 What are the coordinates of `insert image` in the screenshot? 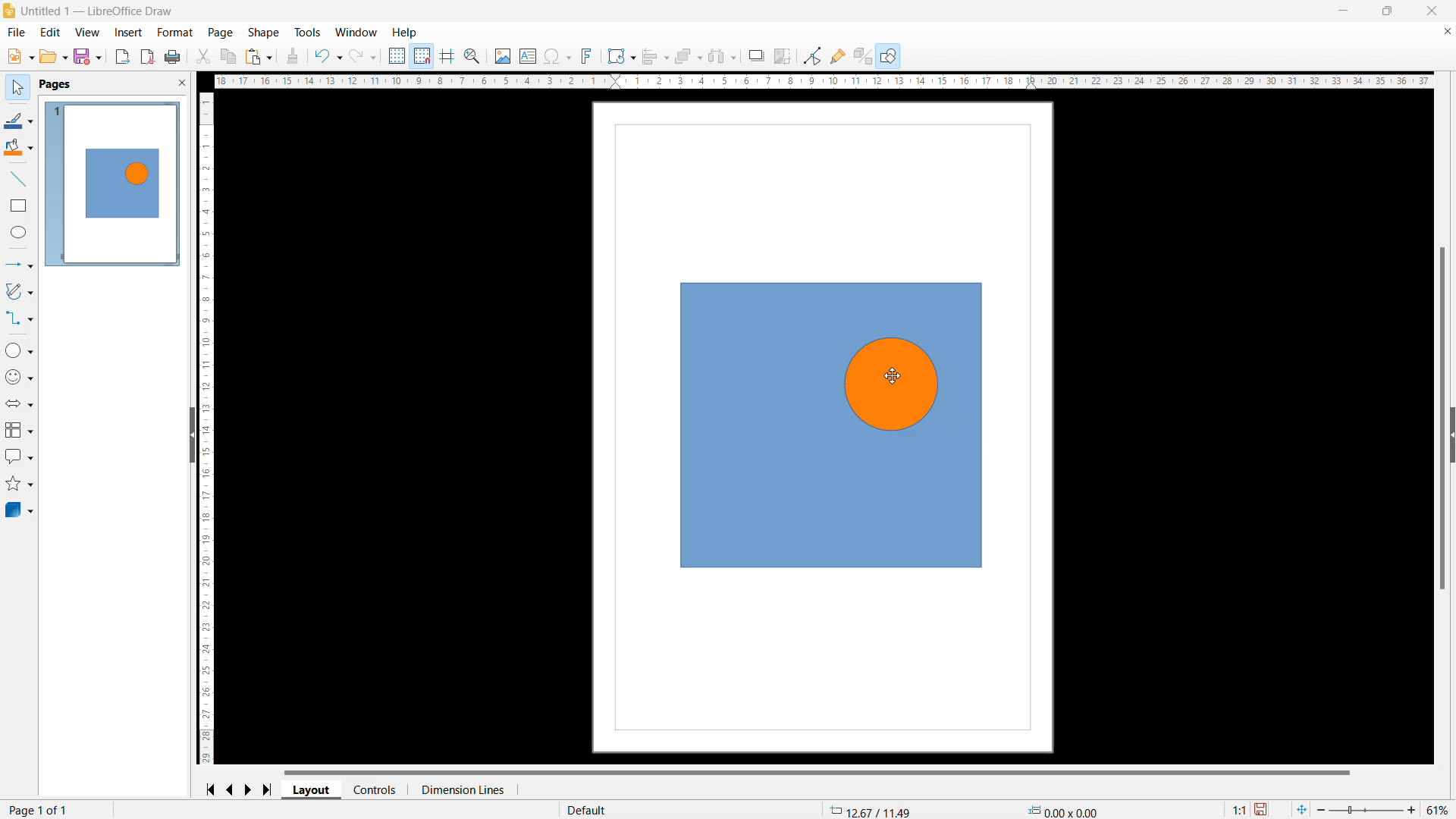 It's located at (503, 55).